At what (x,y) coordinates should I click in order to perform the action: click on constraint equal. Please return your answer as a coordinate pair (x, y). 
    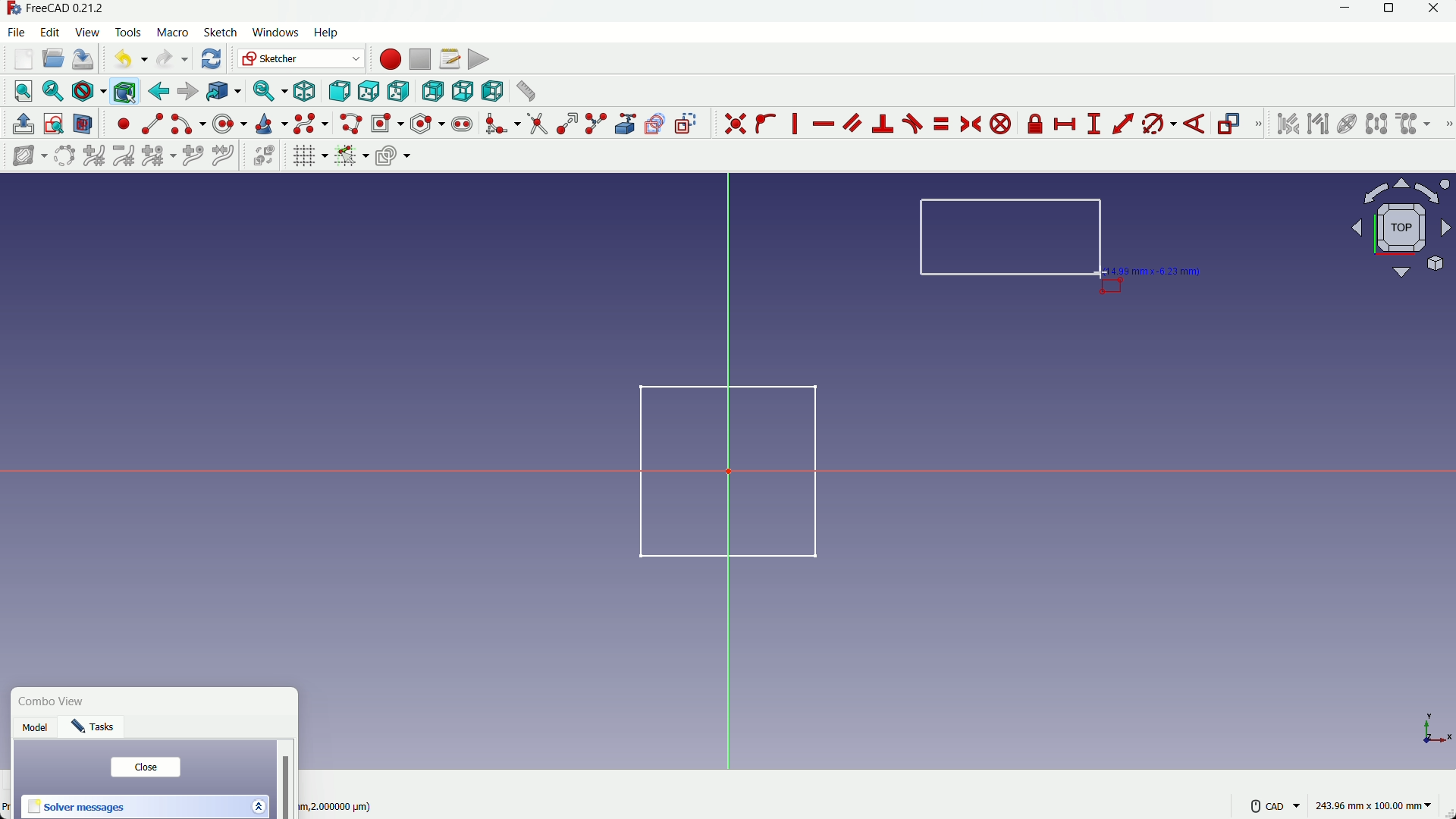
    Looking at the image, I should click on (940, 124).